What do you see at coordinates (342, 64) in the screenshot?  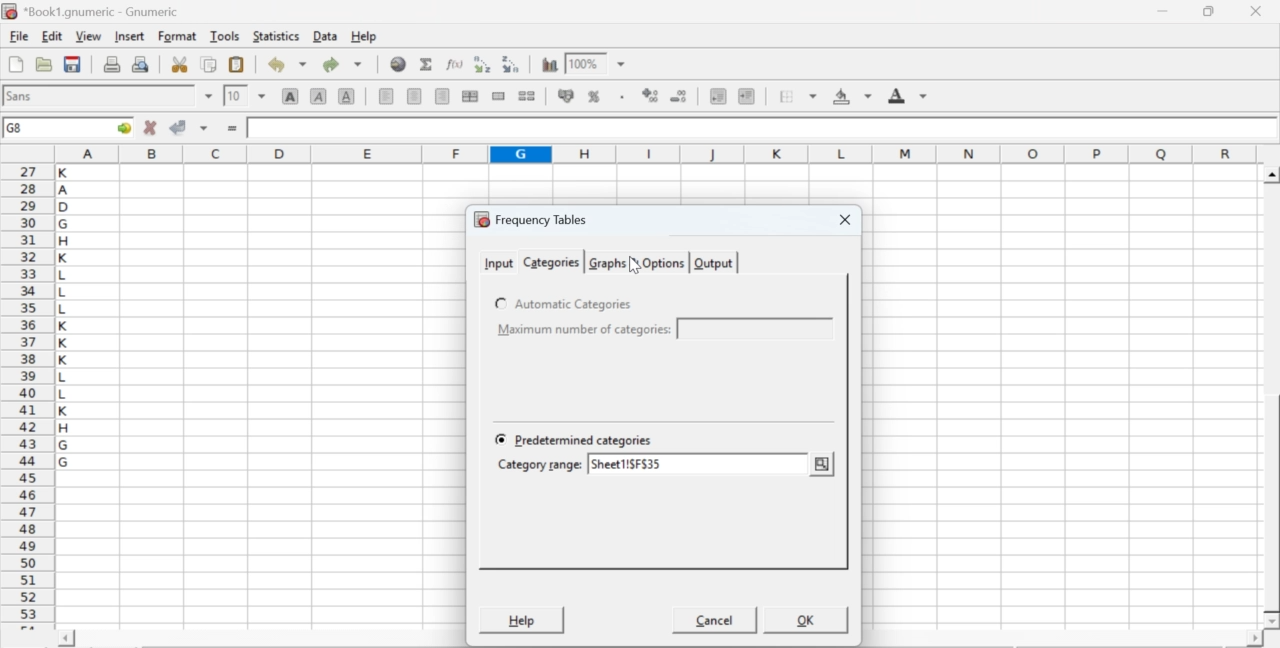 I see `redo` at bounding box center [342, 64].